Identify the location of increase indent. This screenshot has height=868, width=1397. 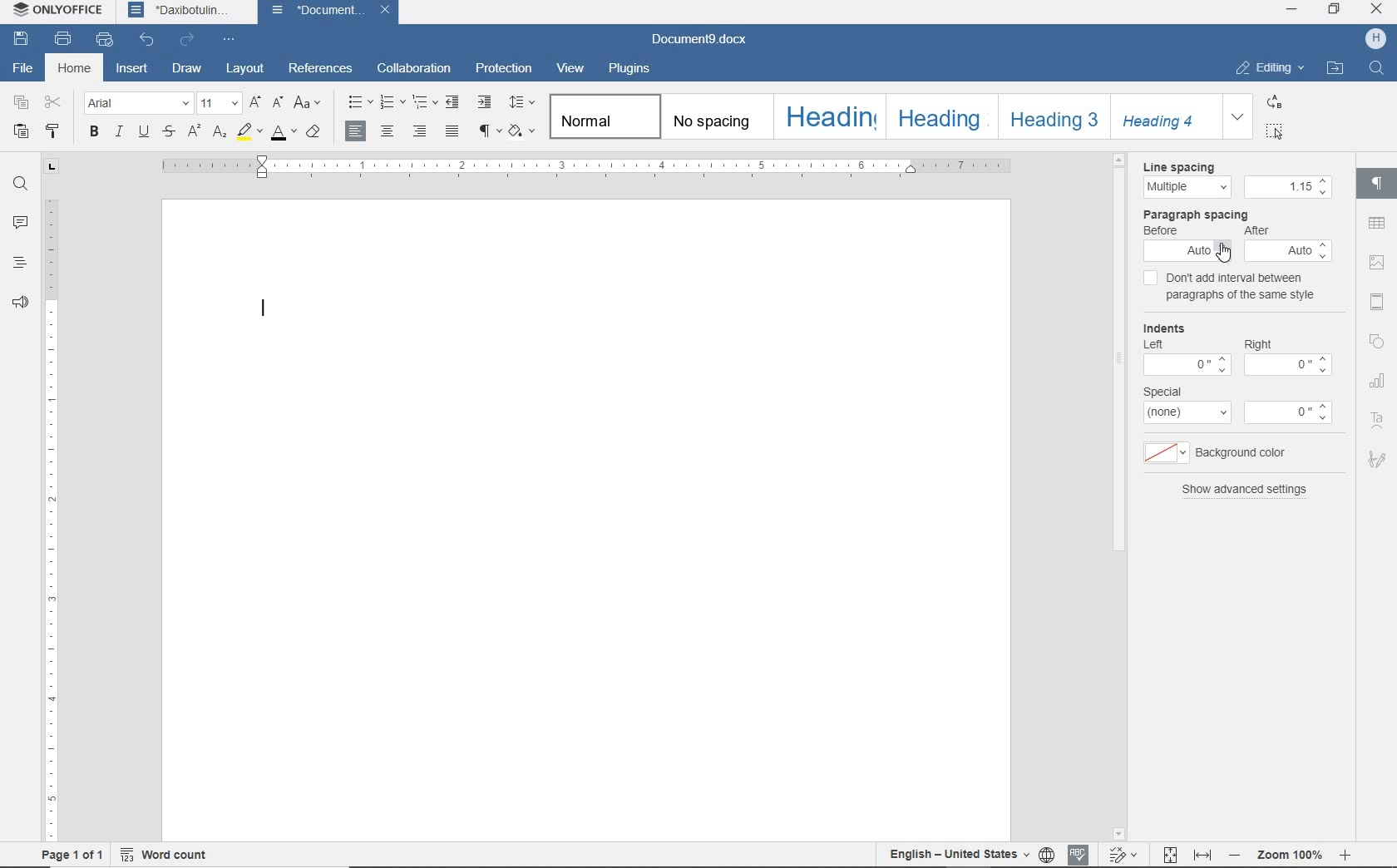
(486, 102).